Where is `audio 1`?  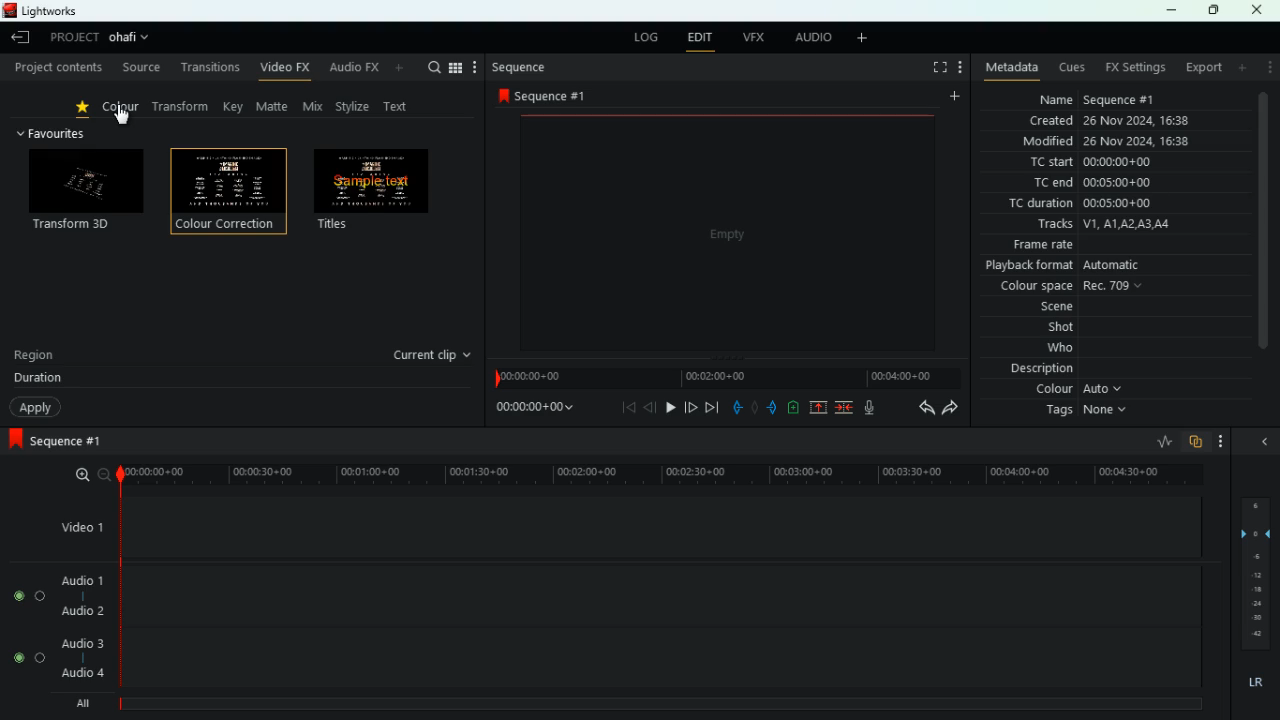 audio 1 is located at coordinates (83, 580).